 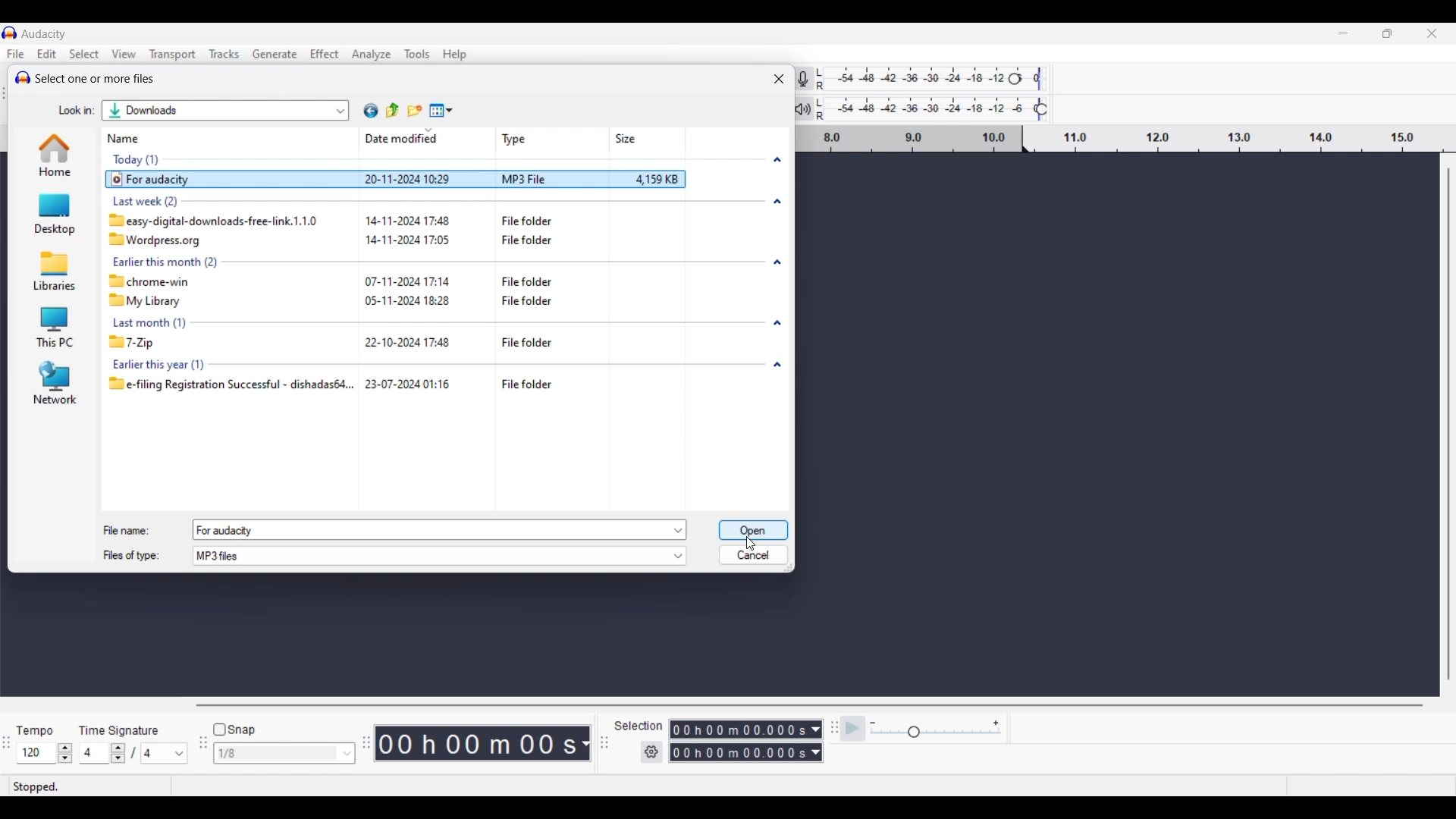 I want to click on Tempo, so click(x=39, y=726).